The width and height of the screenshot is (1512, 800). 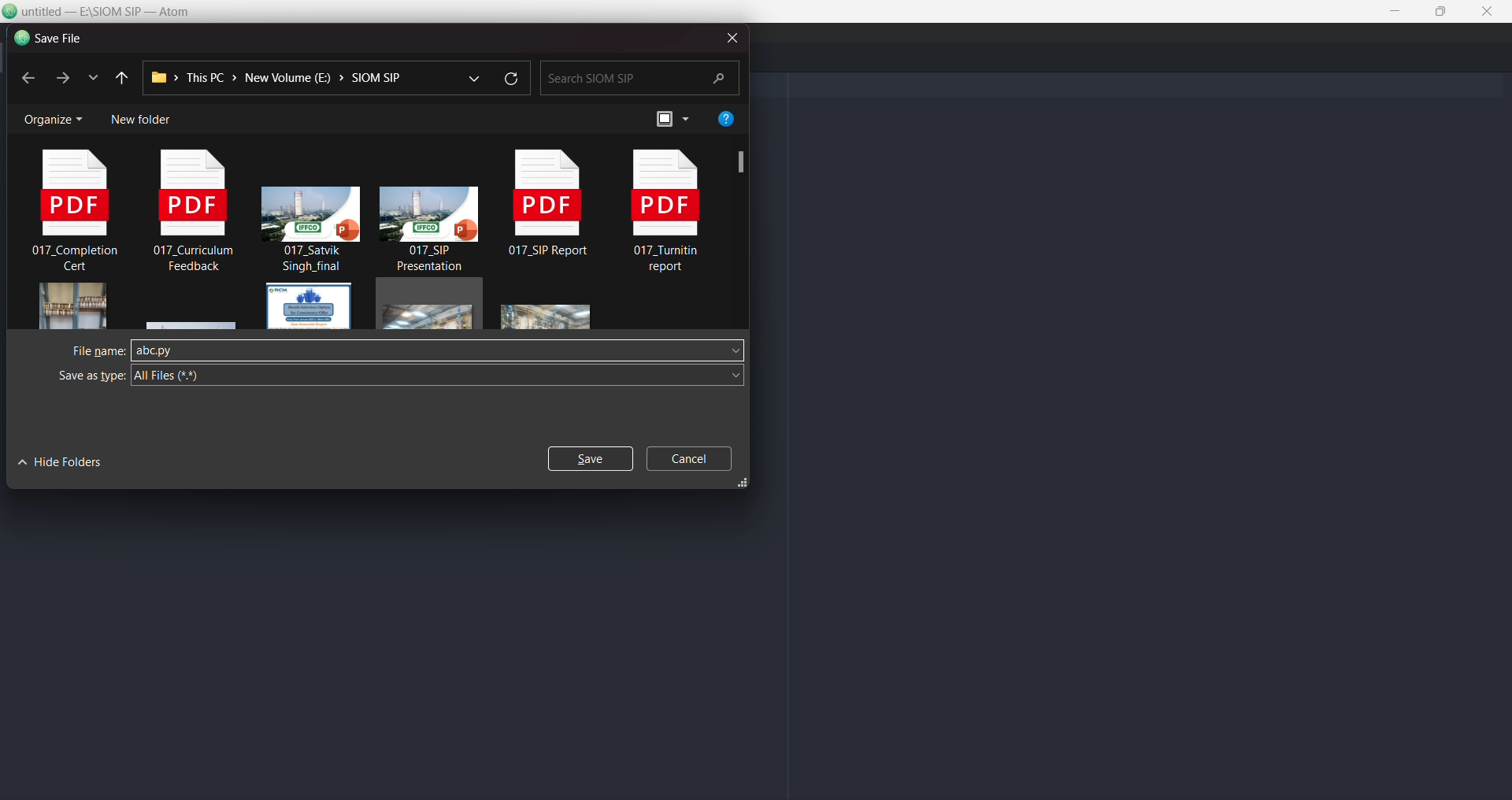 I want to click on minimize, so click(x=1392, y=9).